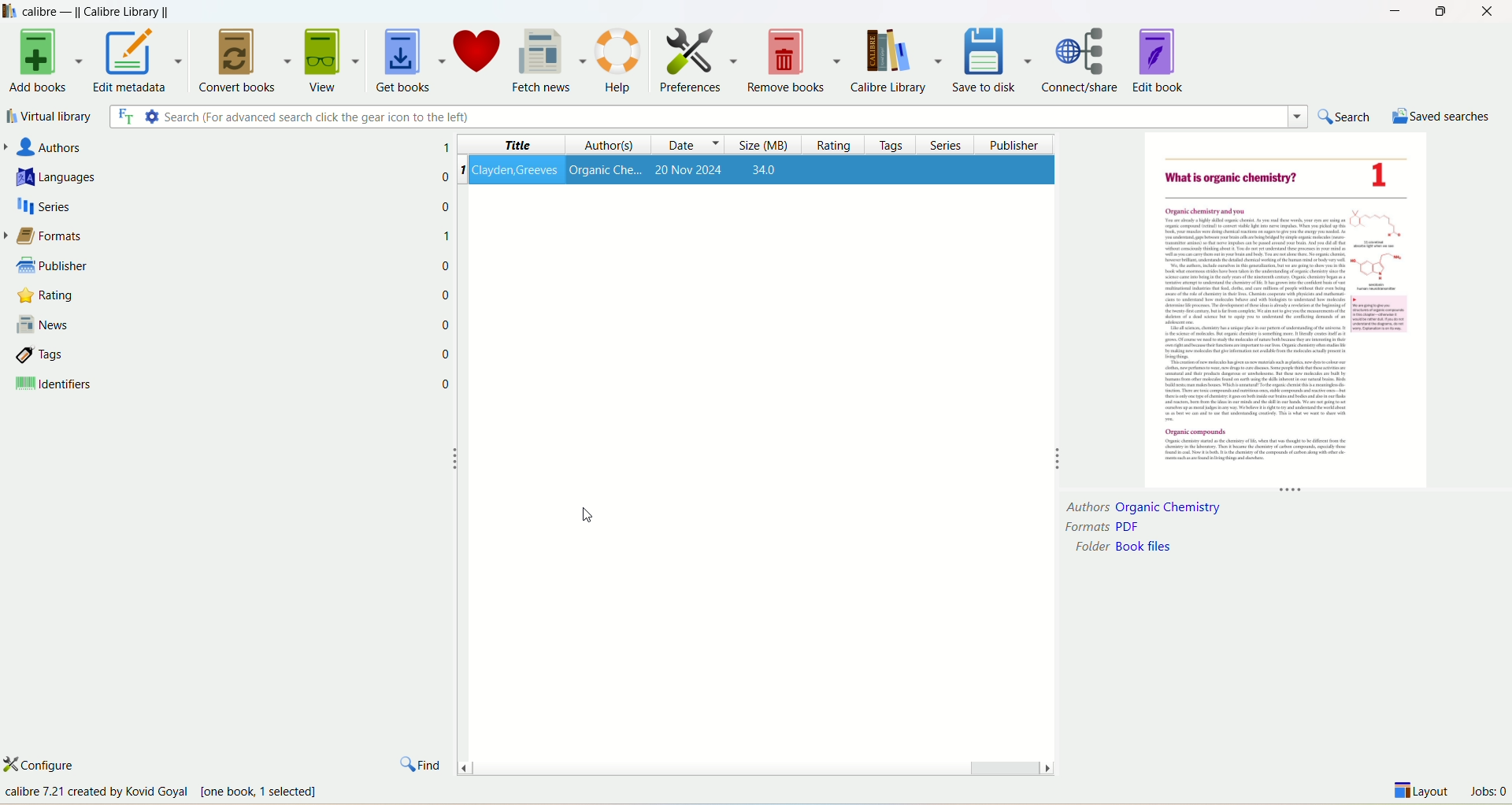 The width and height of the screenshot is (1512, 805). Describe the element at coordinates (1160, 59) in the screenshot. I see `edit book` at that location.